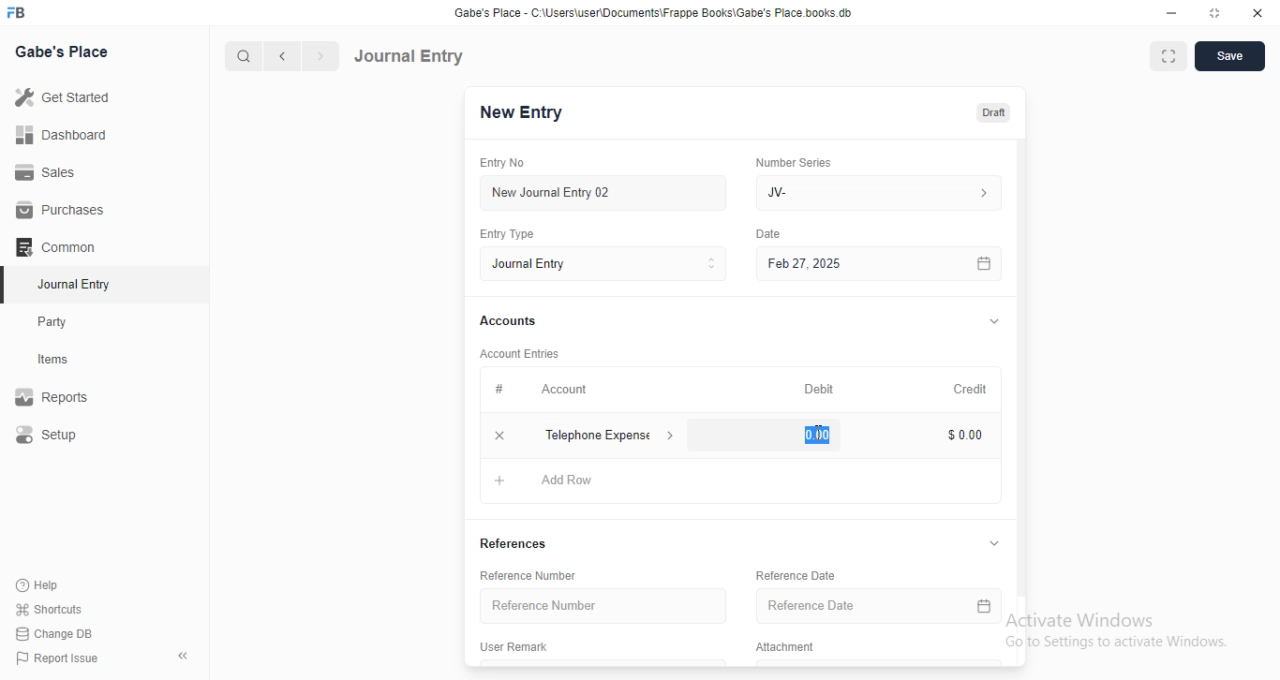 The image size is (1280, 680). Describe the element at coordinates (492, 480) in the screenshot. I see `Add` at that location.